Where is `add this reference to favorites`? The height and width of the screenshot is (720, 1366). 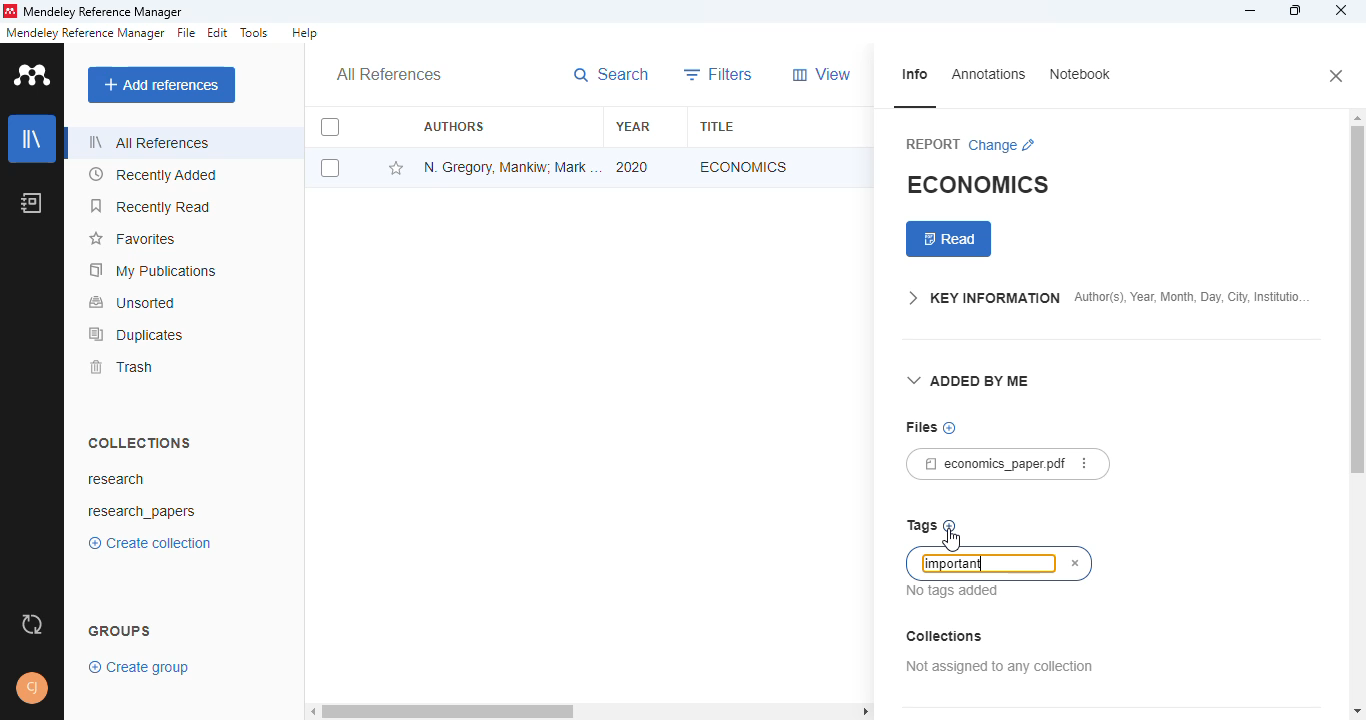 add this reference to favorites is located at coordinates (396, 168).